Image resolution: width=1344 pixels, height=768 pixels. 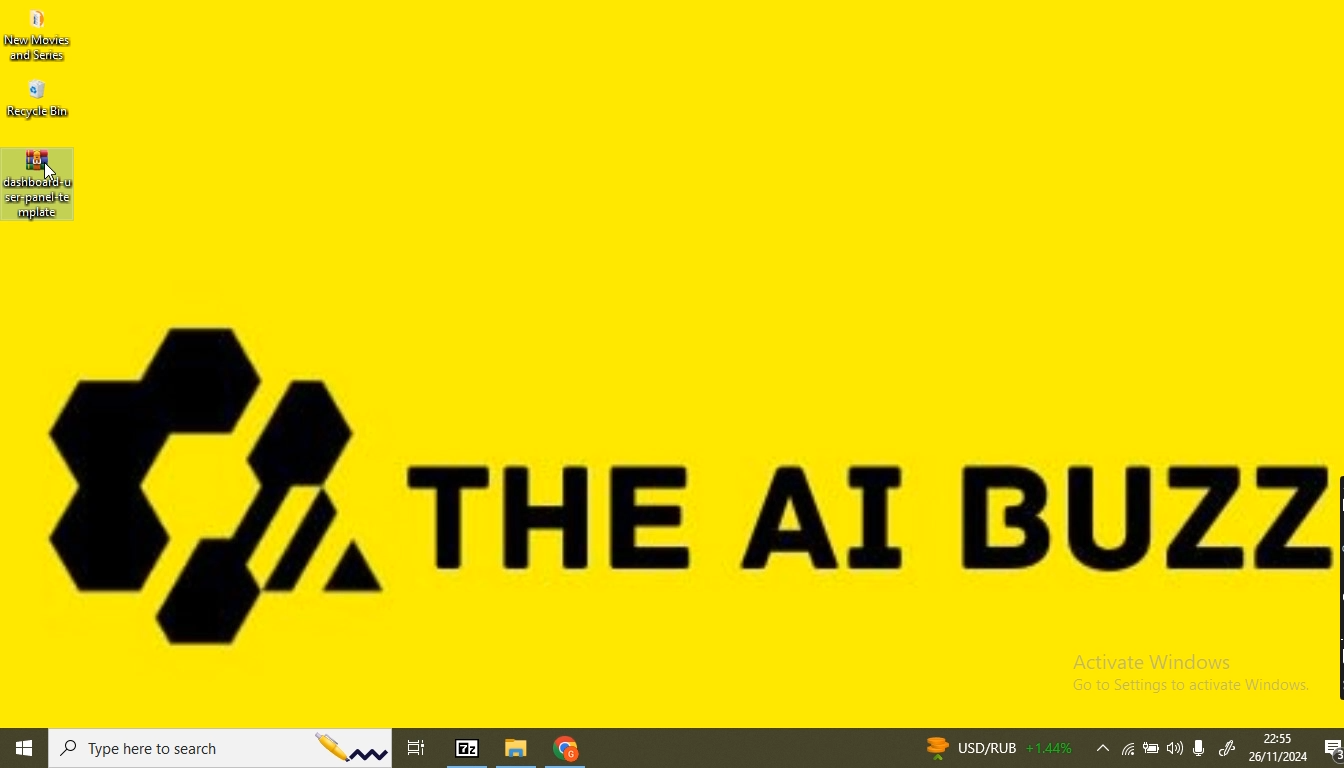 What do you see at coordinates (1176, 748) in the screenshot?
I see `volume` at bounding box center [1176, 748].